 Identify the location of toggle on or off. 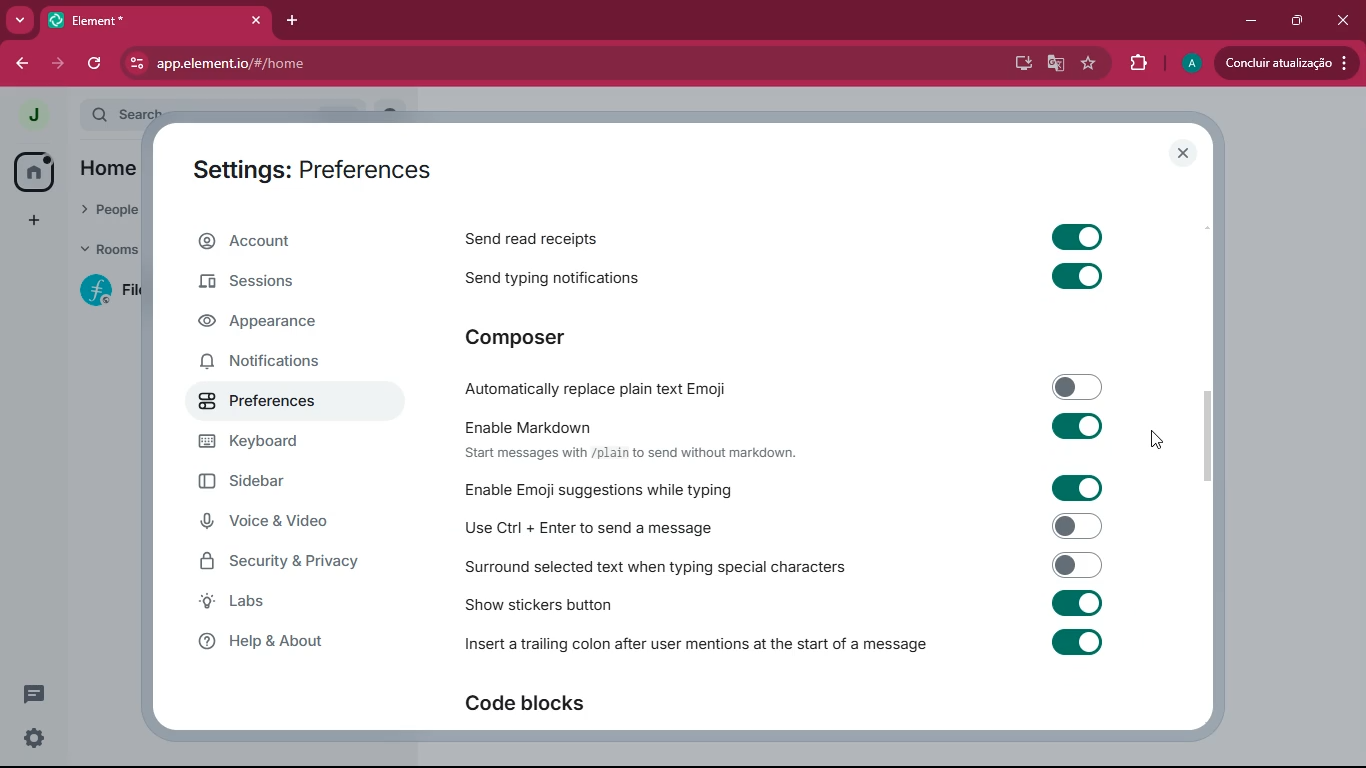
(1070, 424).